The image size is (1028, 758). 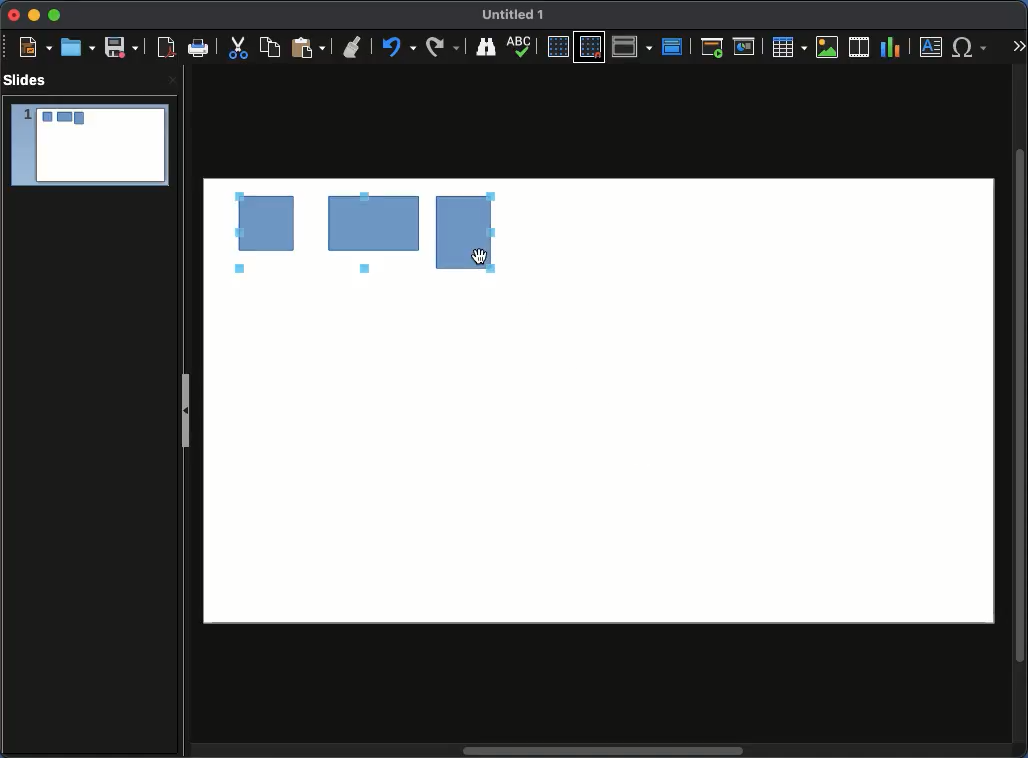 What do you see at coordinates (1020, 406) in the screenshot?
I see `Scroll` at bounding box center [1020, 406].